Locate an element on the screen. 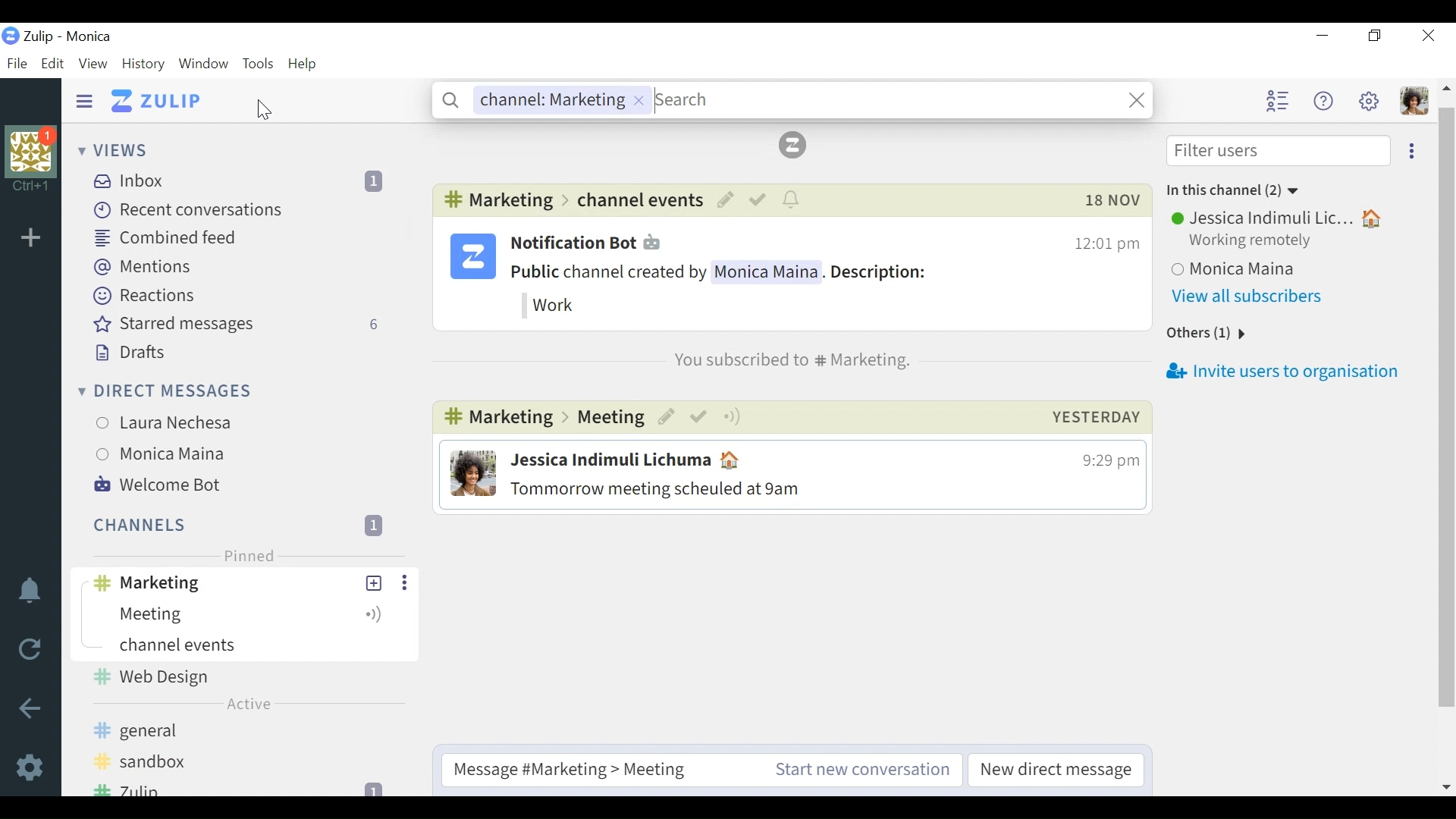 The image size is (1456, 819). Start new conversation is located at coordinates (861, 769).